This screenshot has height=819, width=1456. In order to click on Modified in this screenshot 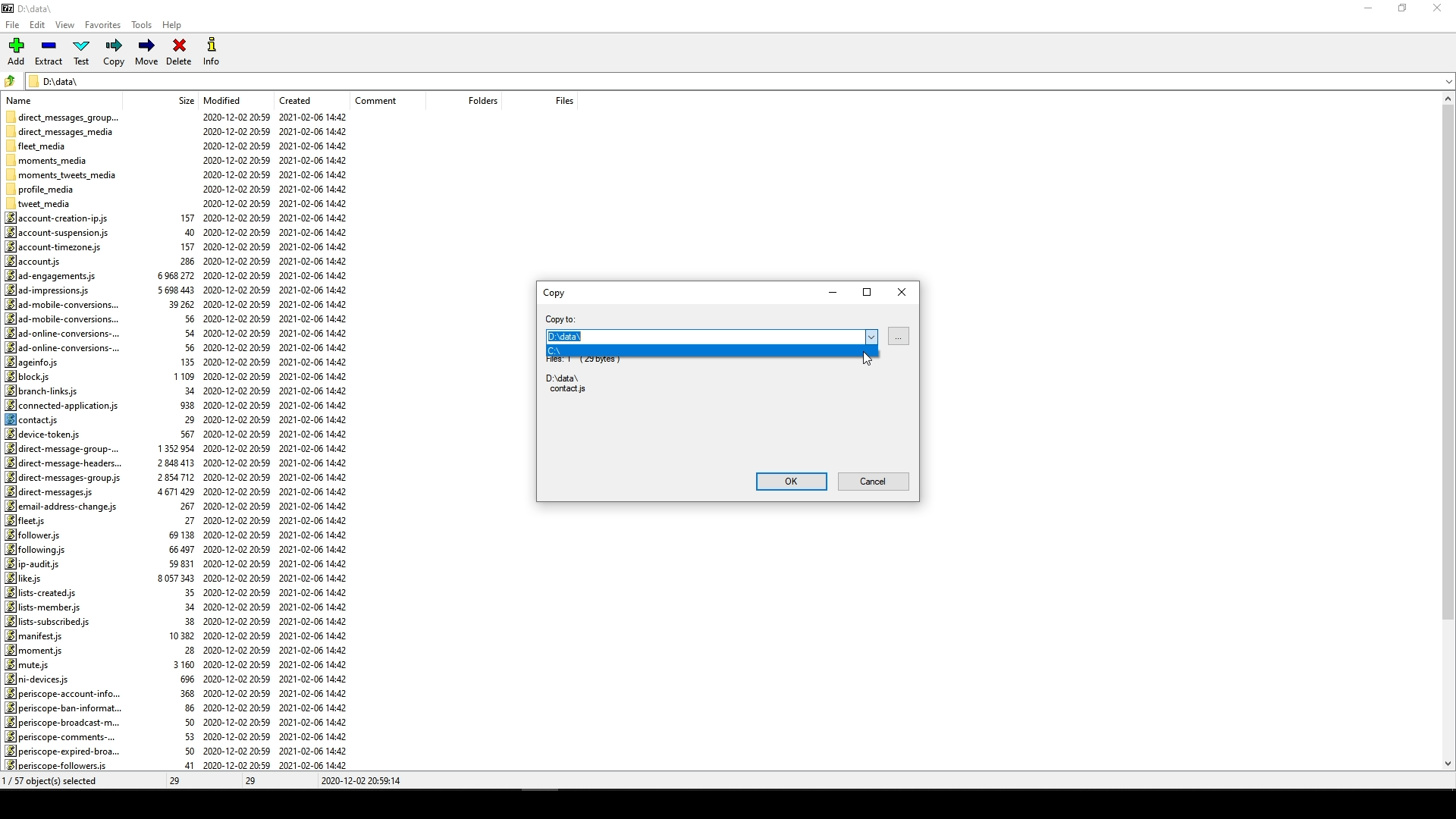, I will do `click(226, 99)`.